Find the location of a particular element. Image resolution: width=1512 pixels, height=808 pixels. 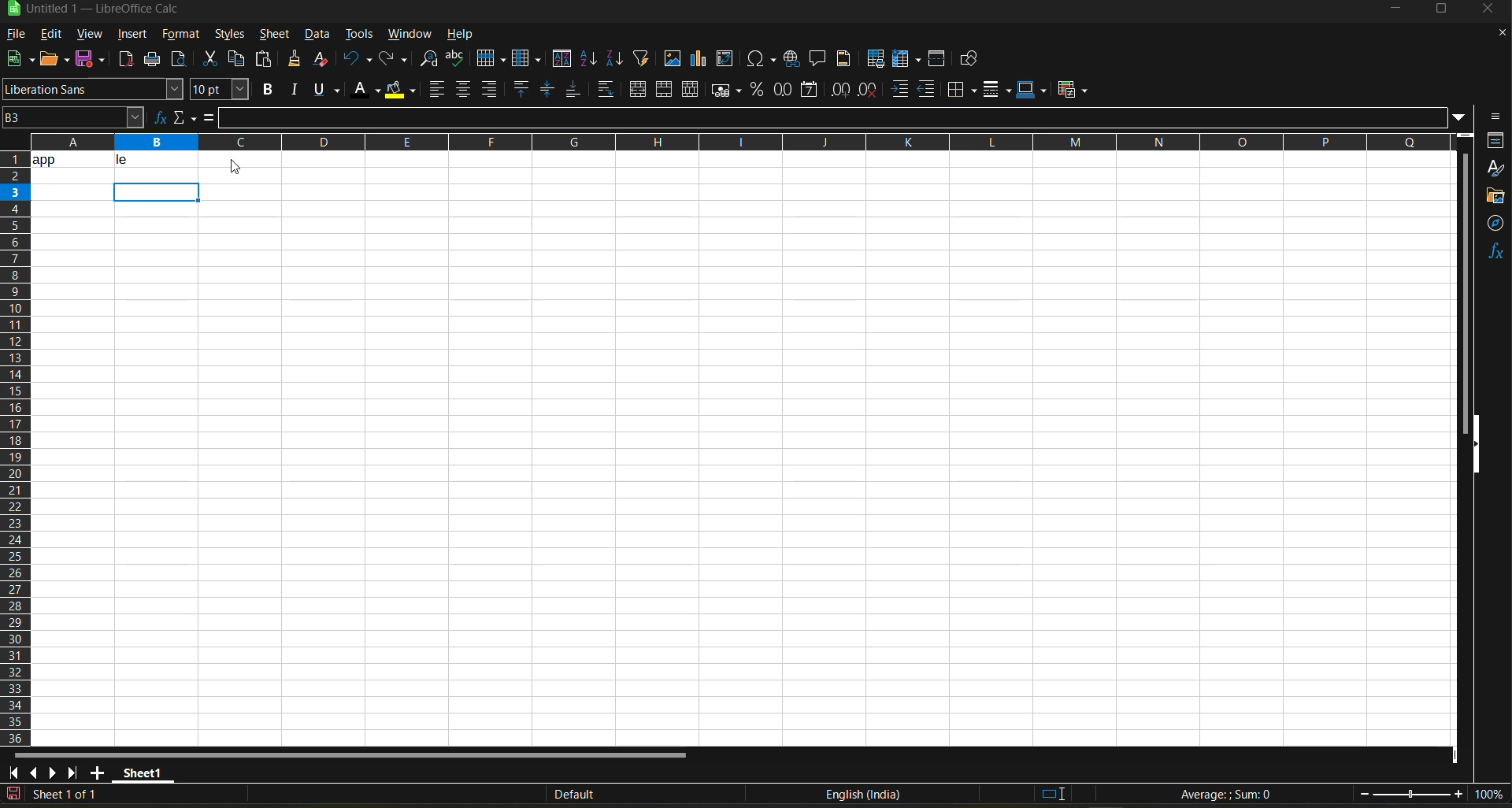

sheet is located at coordinates (270, 32).